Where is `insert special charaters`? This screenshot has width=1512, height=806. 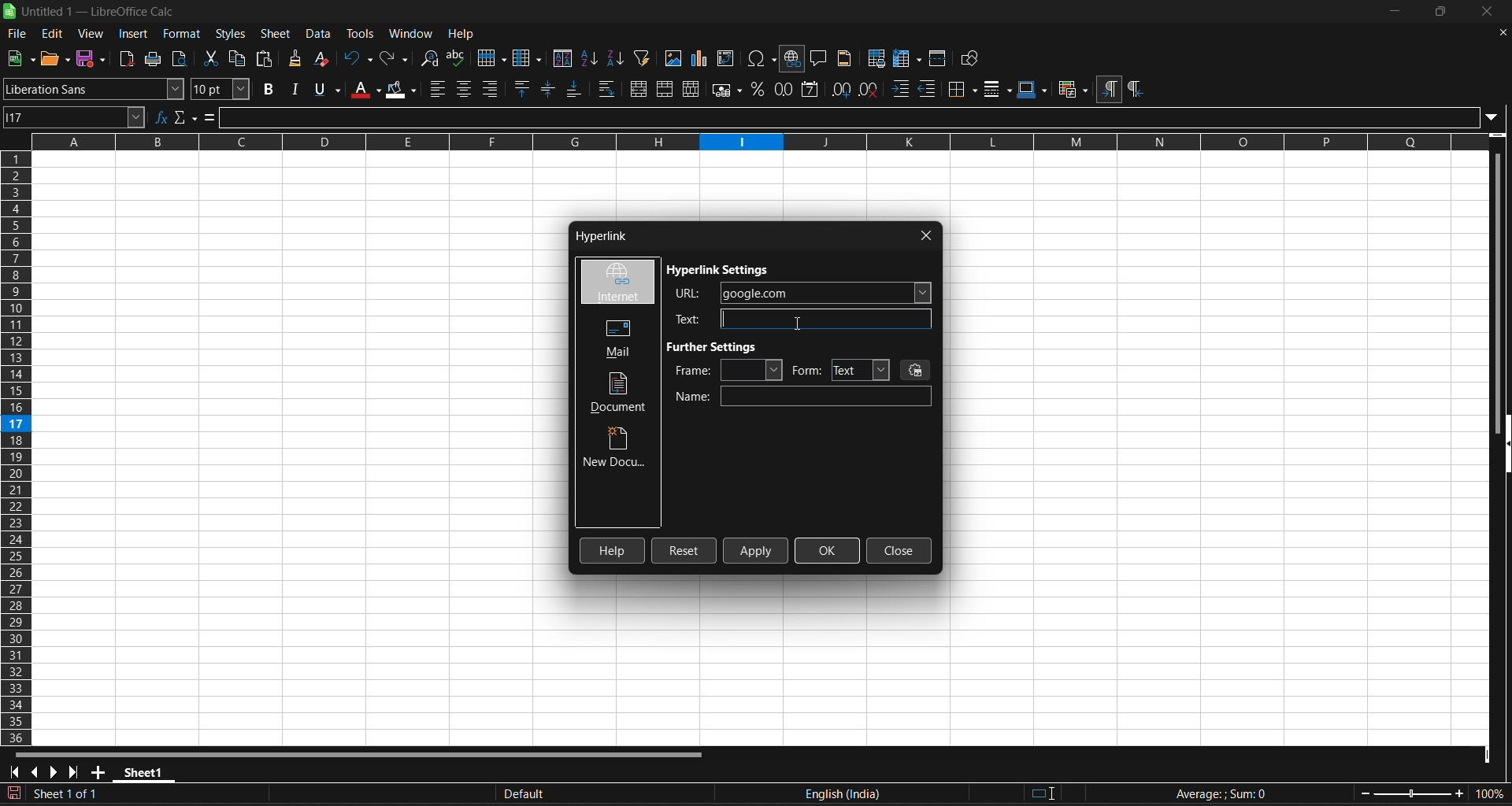 insert special charaters is located at coordinates (760, 58).